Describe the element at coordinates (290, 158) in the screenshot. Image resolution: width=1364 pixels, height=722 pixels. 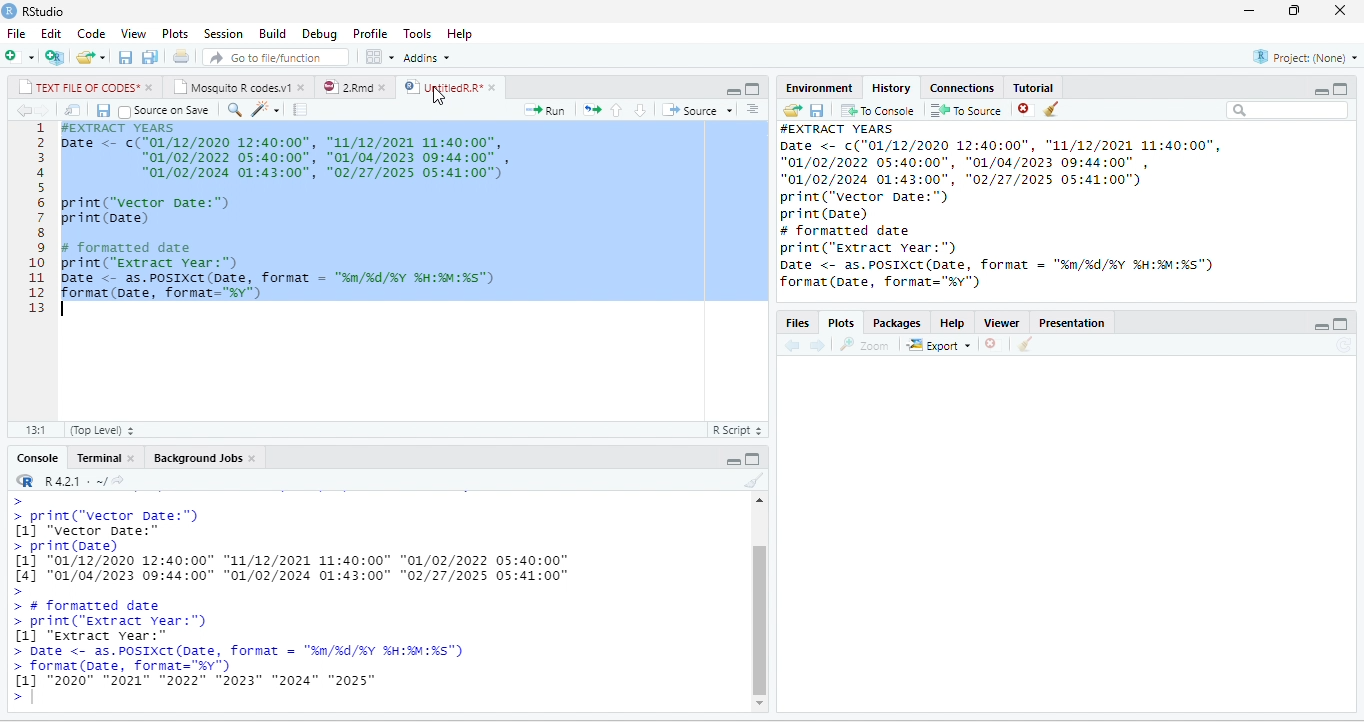
I see `1 Date <- c( "01/12/2020 12:40:00" , "11/12/2021 11:40:00" , “01/02/2022 05:40:00", "01/04/2023 09:44:00" , "01/02/2024 01:43:00", "02/27/2025 05:41:00")` at that location.